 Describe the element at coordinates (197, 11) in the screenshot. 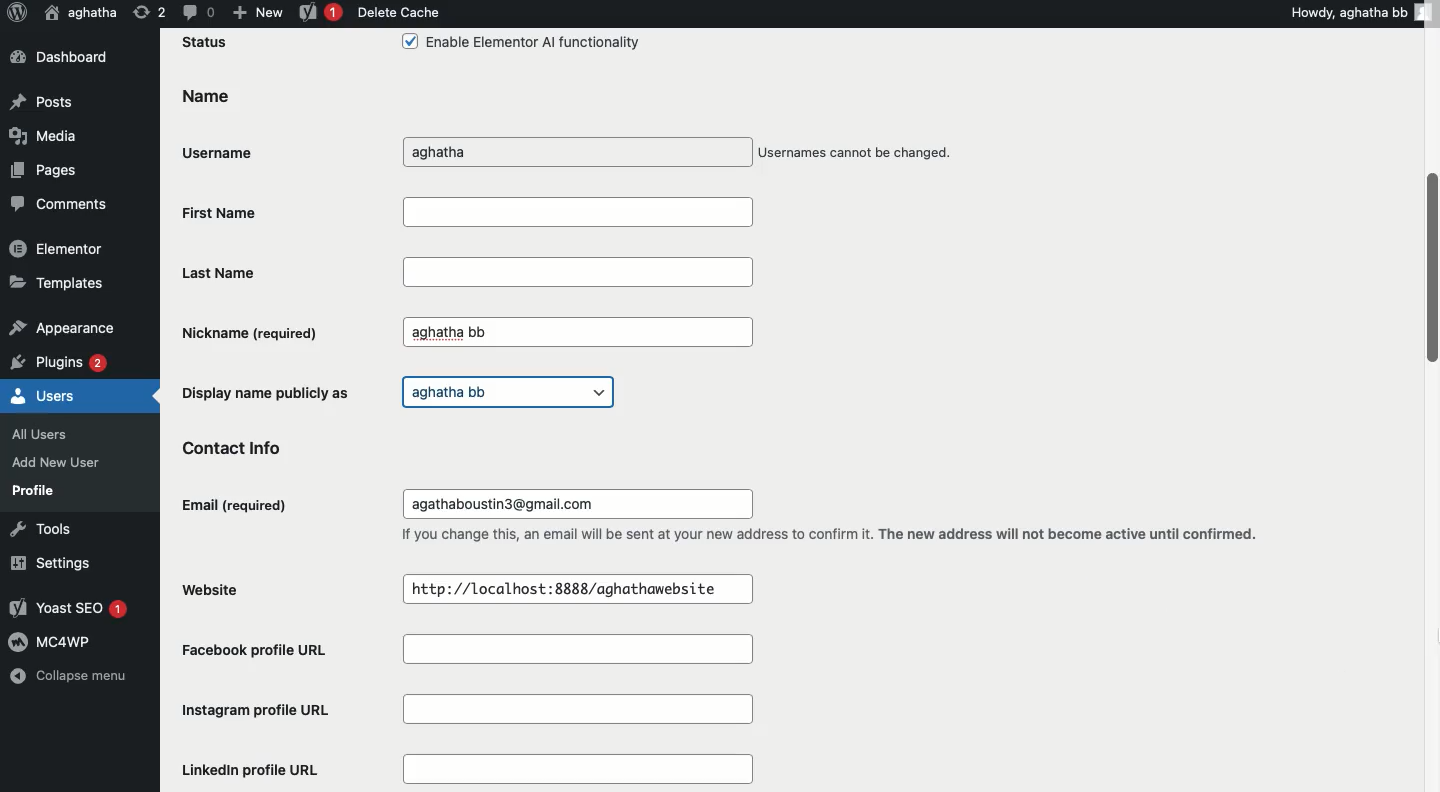

I see `Comment` at that location.